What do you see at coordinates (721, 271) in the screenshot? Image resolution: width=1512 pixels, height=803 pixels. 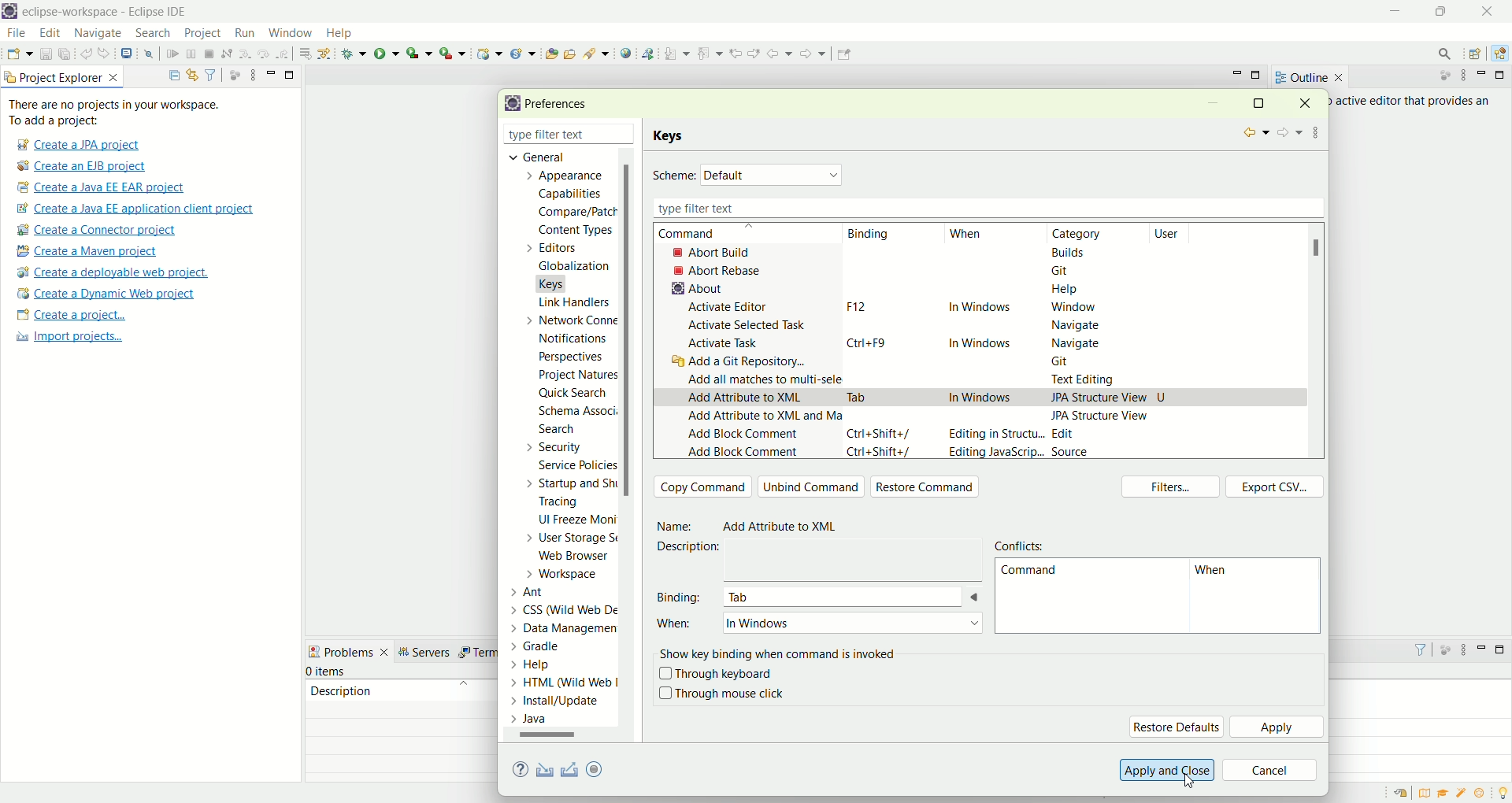 I see `abort rebase` at bounding box center [721, 271].